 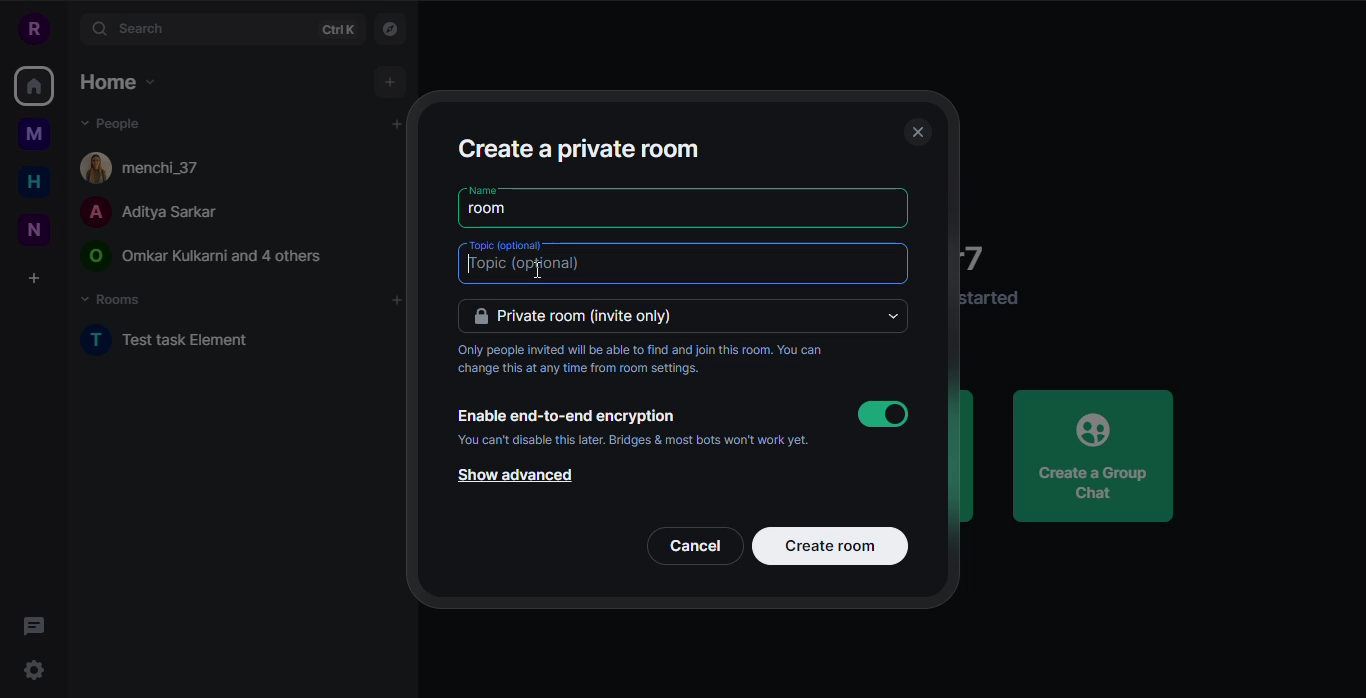 I want to click on myspace, so click(x=34, y=134).